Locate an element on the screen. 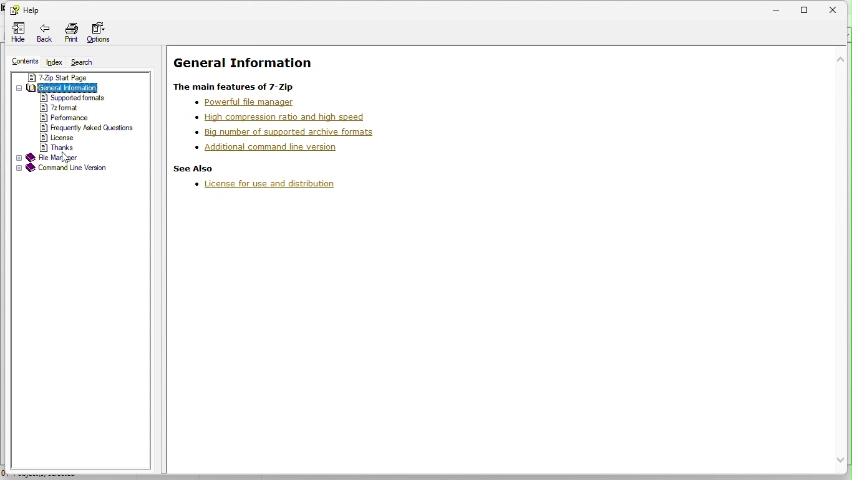  close is located at coordinates (838, 7).